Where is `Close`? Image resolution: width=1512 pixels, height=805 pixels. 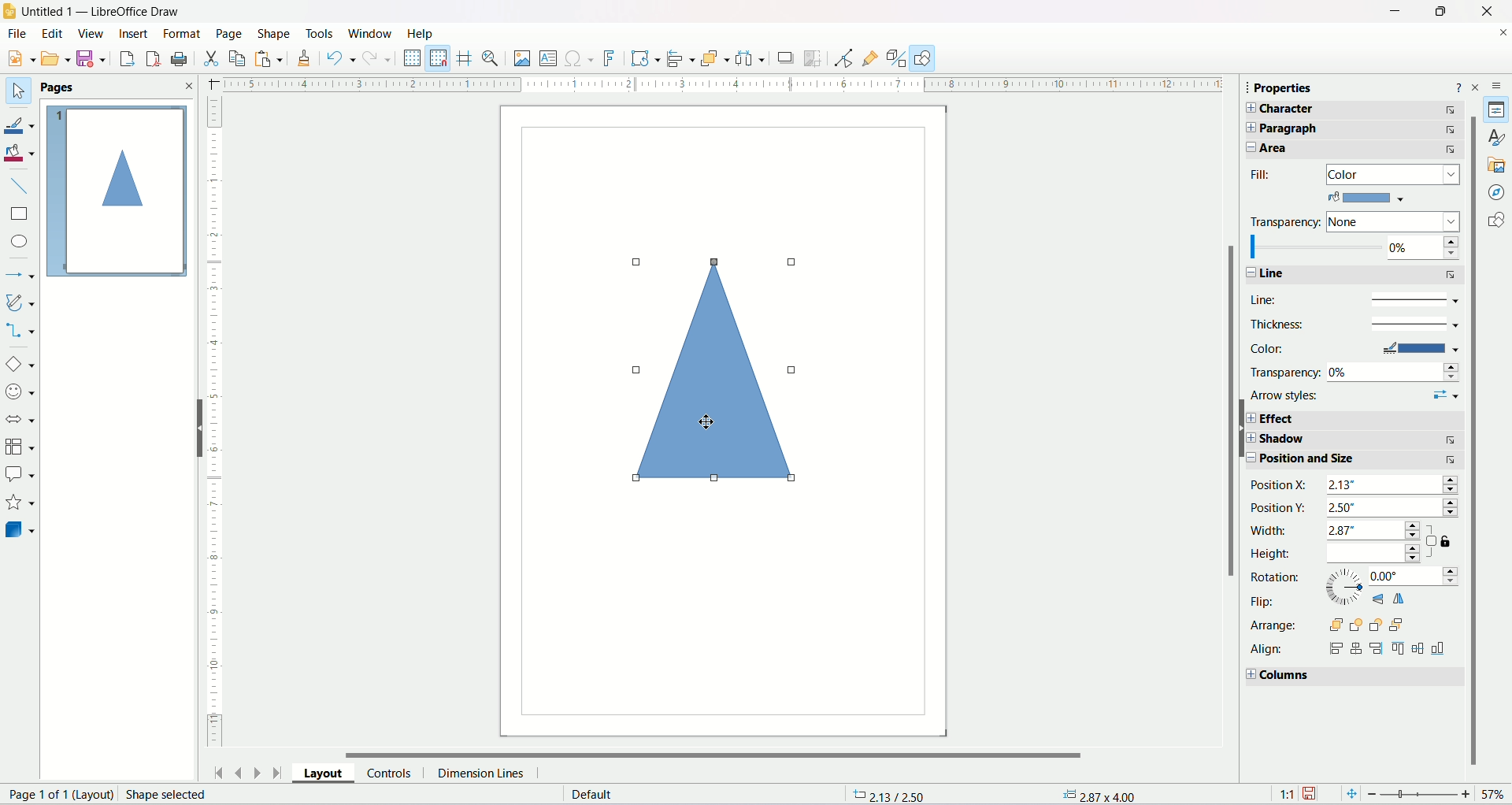
Close is located at coordinates (185, 85).